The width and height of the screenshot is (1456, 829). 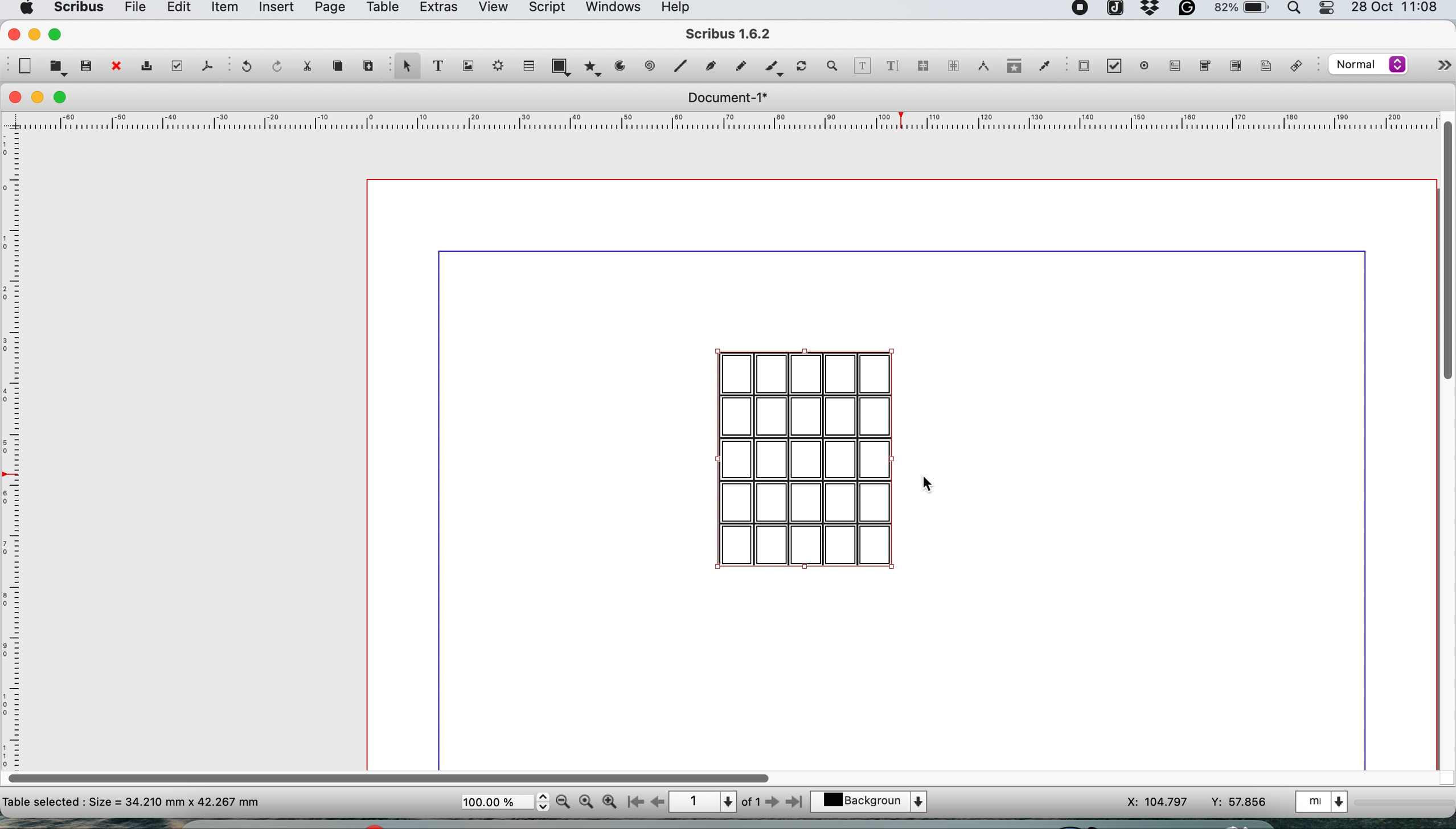 What do you see at coordinates (892, 67) in the screenshot?
I see `edit text with story mode` at bounding box center [892, 67].